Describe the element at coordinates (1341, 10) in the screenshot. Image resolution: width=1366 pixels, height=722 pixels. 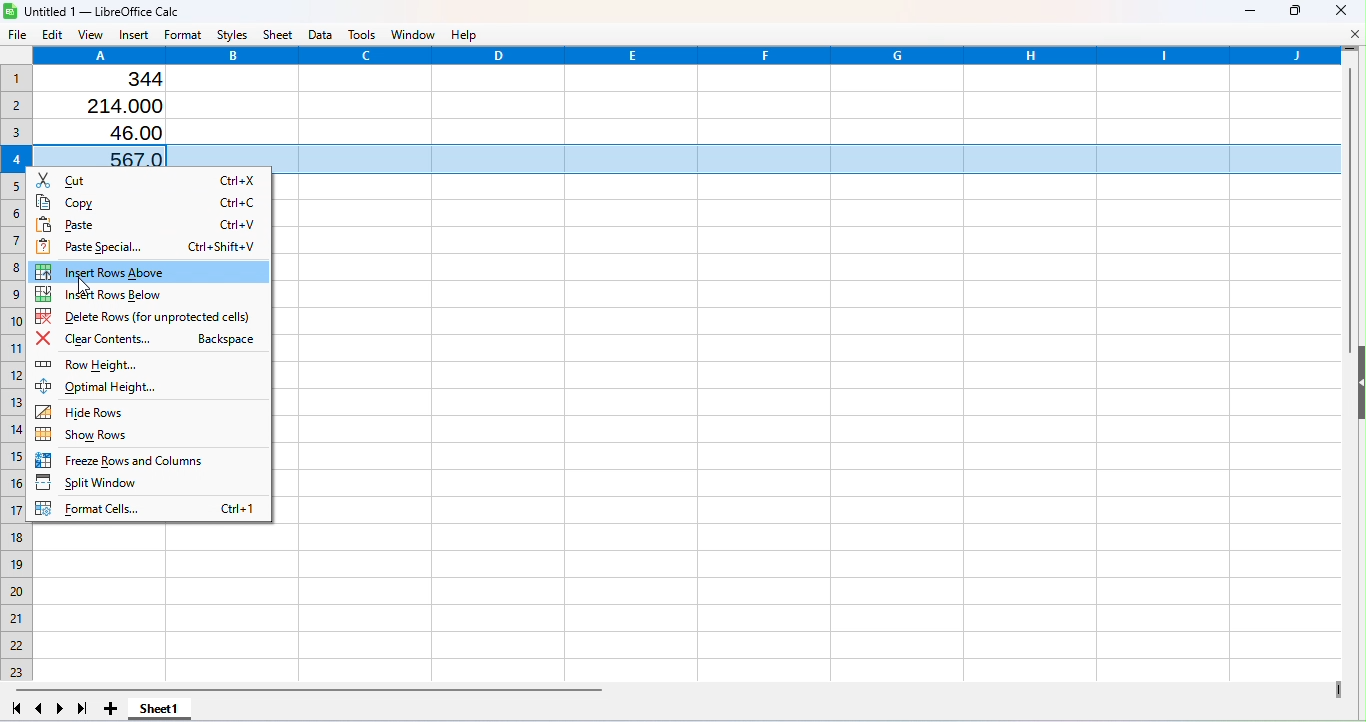
I see `Close` at that location.